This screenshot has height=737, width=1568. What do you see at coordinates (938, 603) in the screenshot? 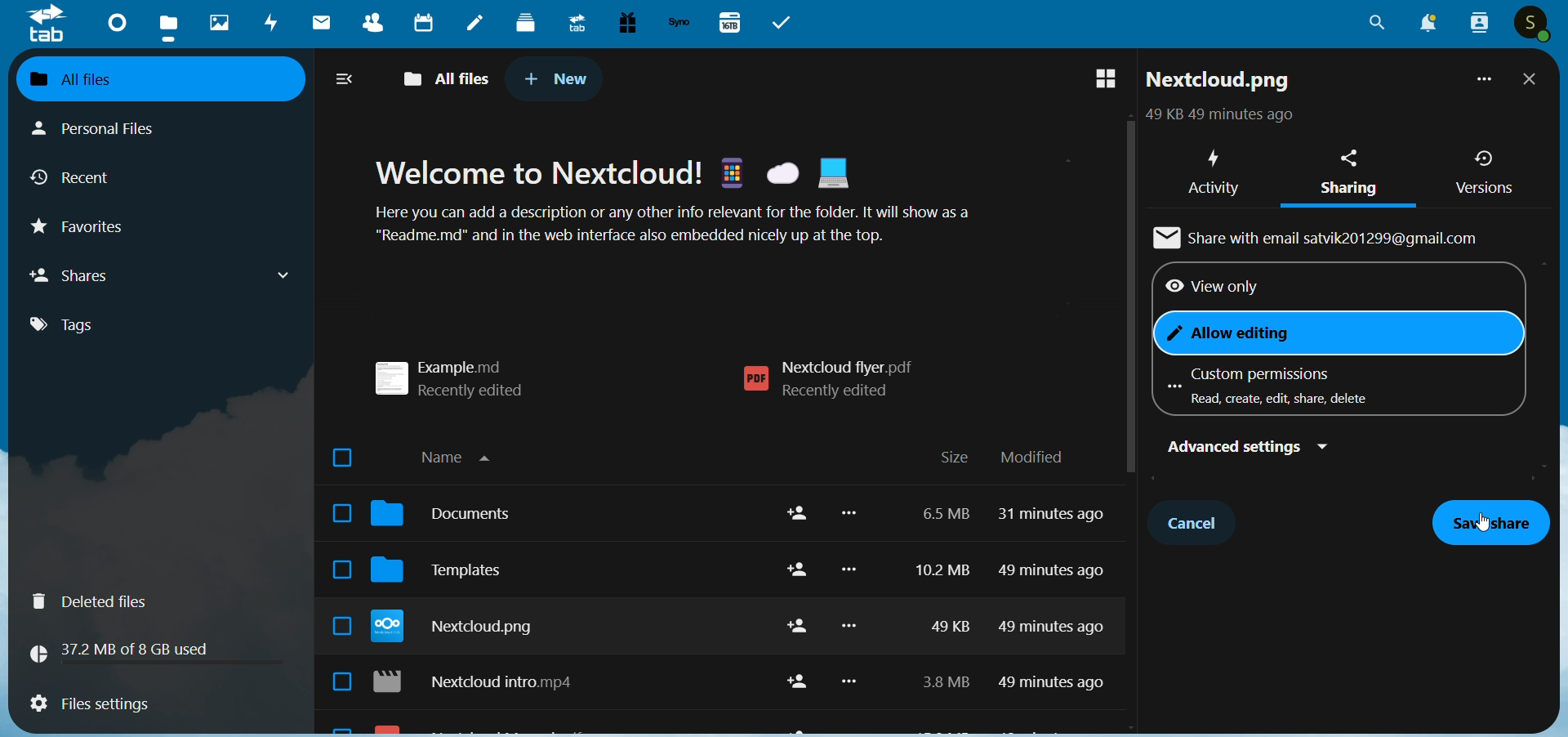
I see `file size ` at bounding box center [938, 603].